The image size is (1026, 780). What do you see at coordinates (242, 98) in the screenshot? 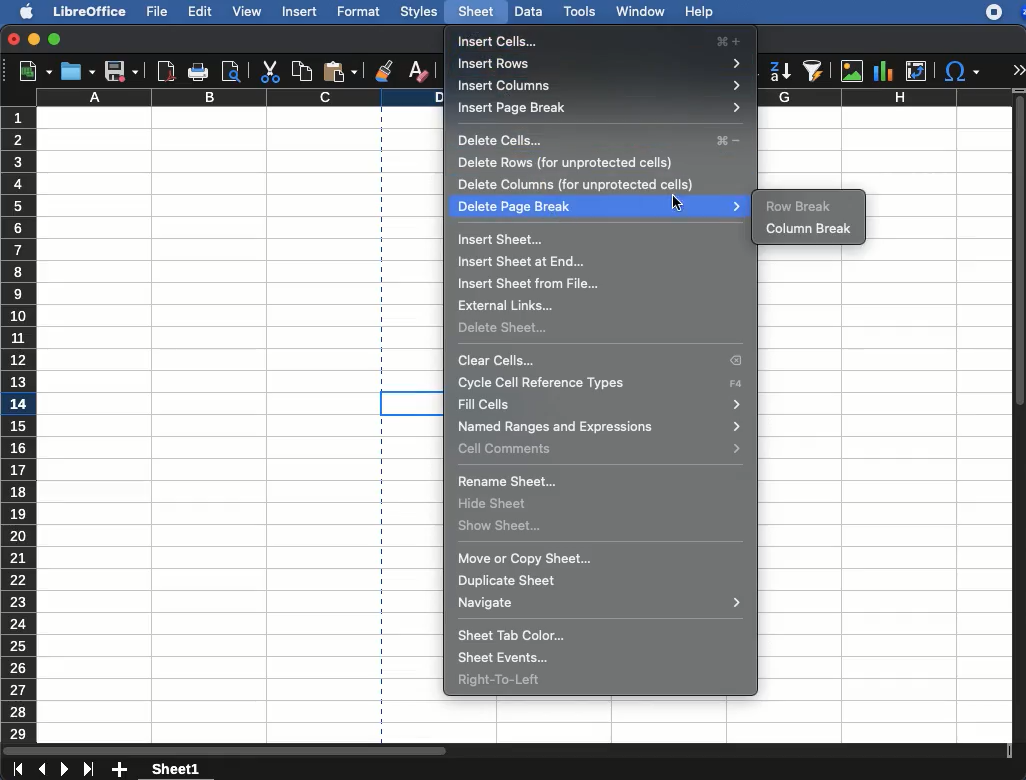
I see `column` at bounding box center [242, 98].